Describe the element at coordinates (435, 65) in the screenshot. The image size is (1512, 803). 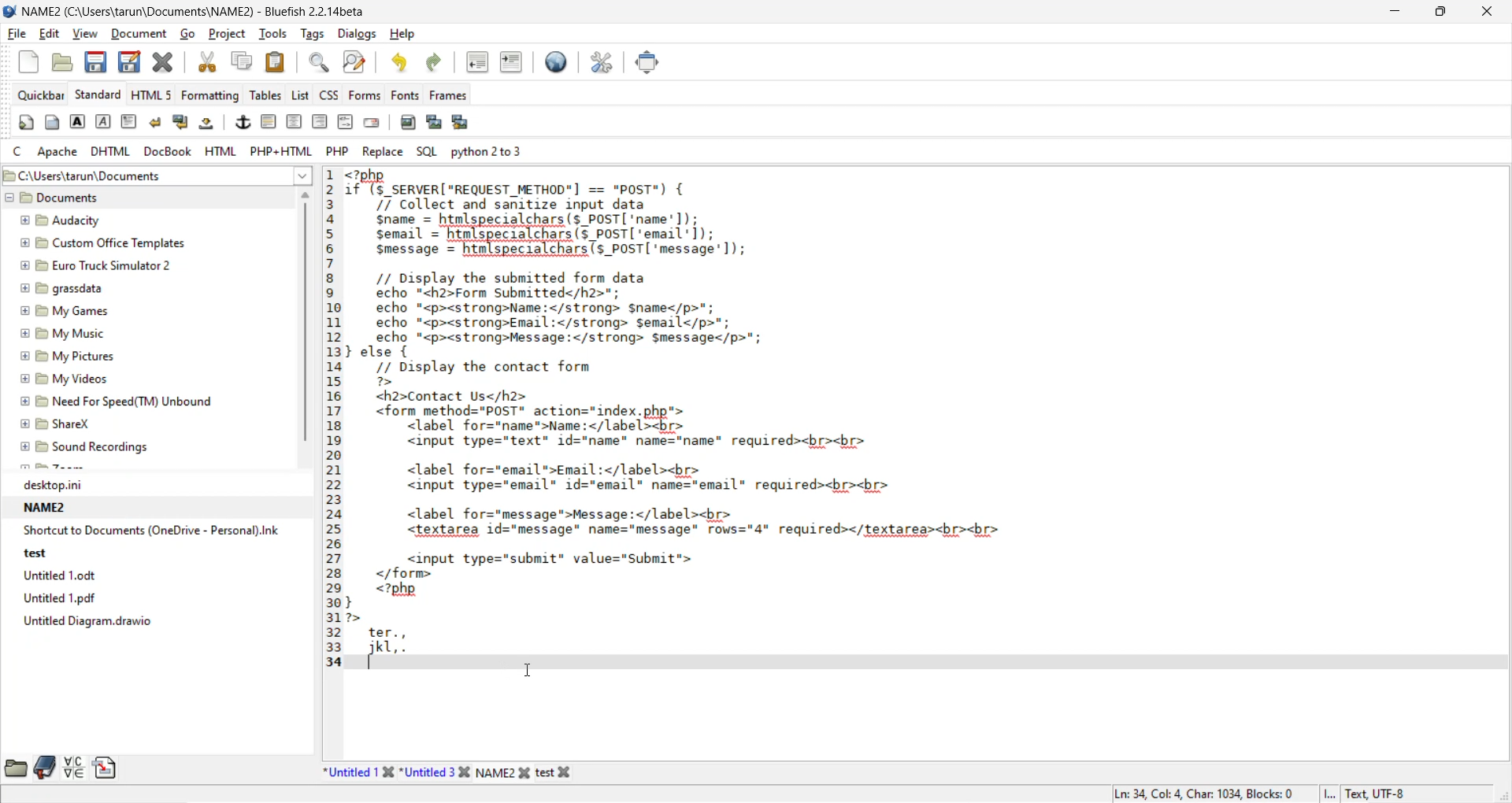
I see `redo` at that location.